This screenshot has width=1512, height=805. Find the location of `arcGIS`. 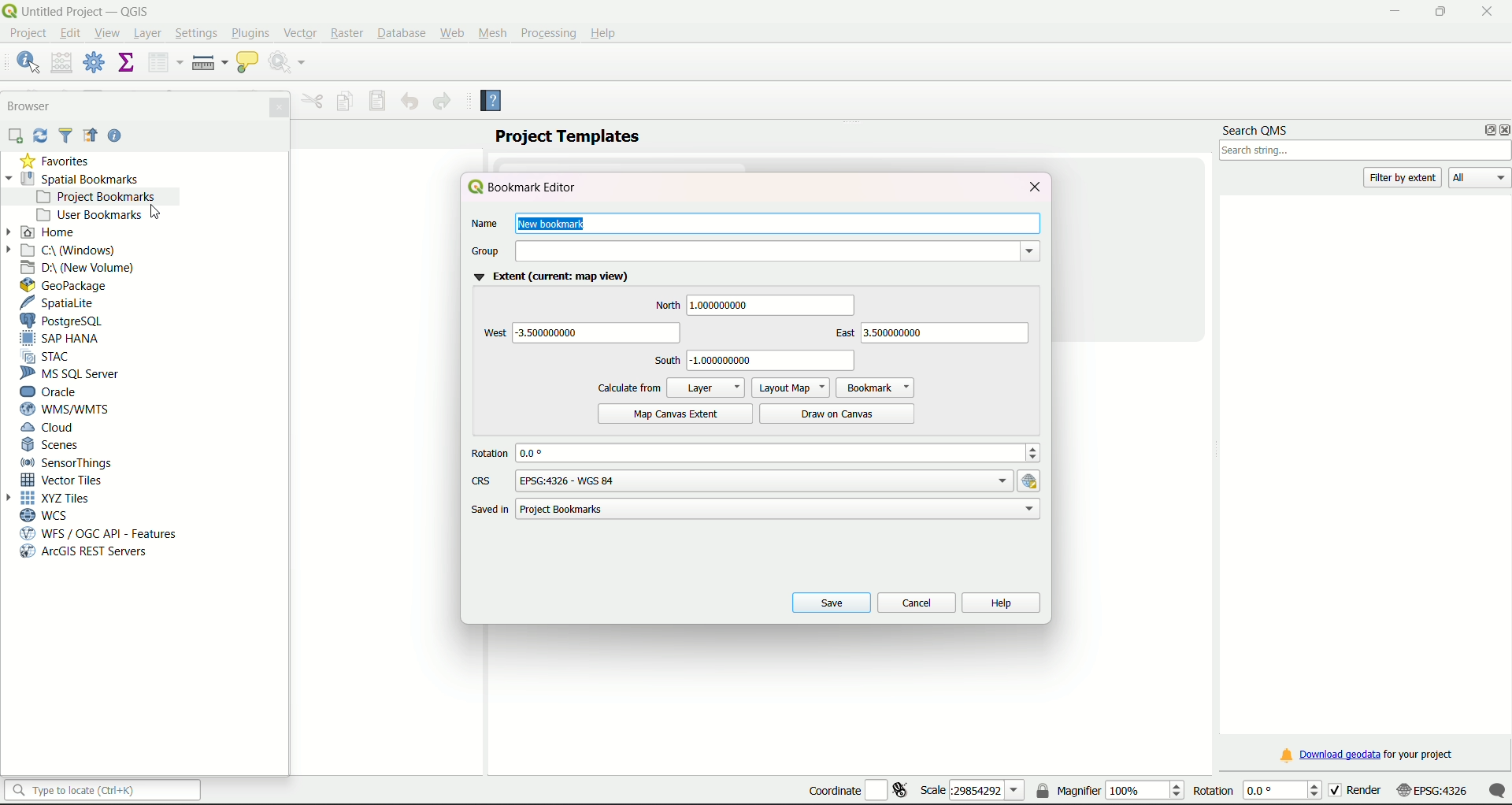

arcGIS is located at coordinates (84, 553).